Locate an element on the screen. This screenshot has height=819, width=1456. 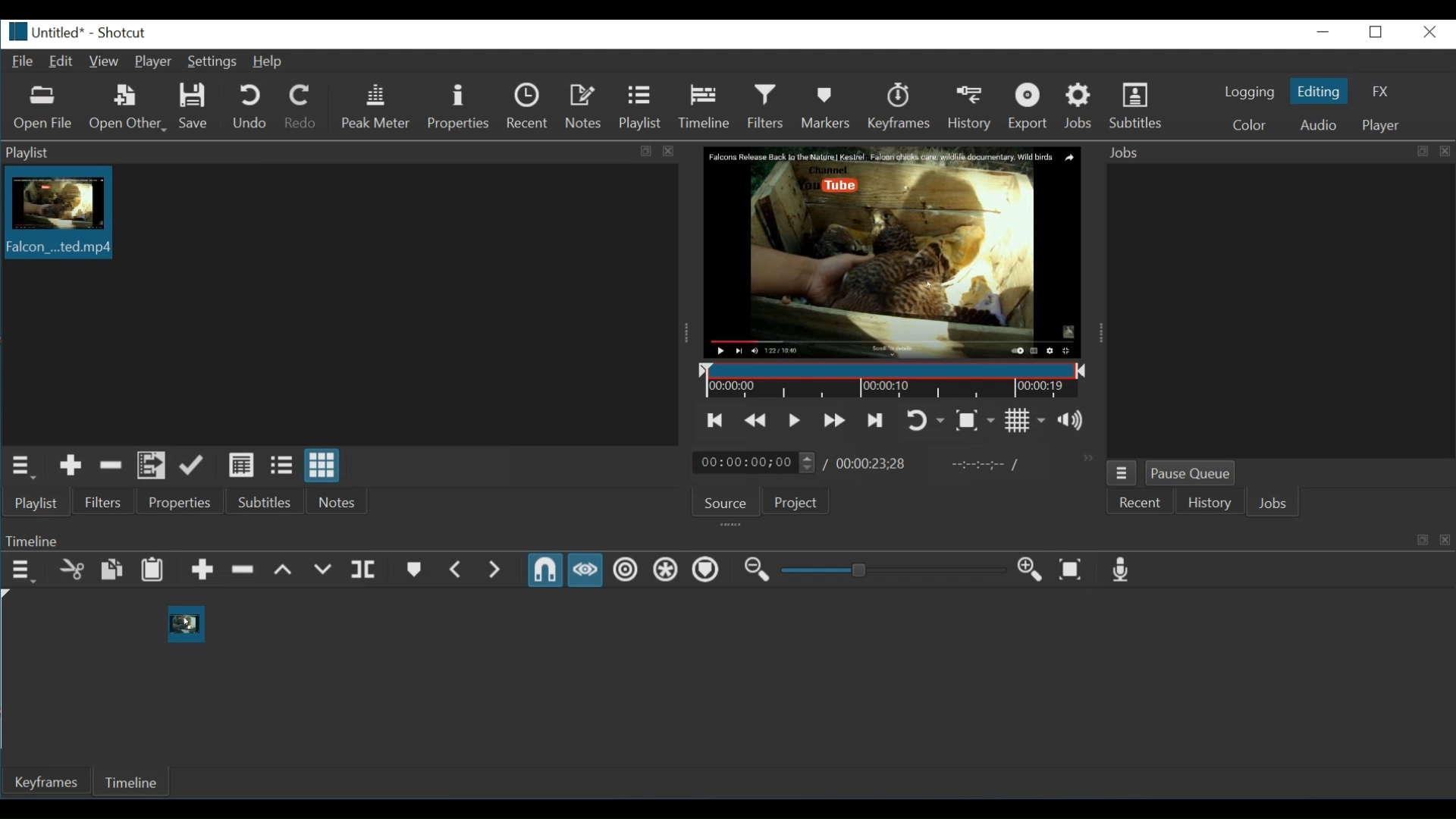
Zoom keyframe in is located at coordinates (1027, 568).